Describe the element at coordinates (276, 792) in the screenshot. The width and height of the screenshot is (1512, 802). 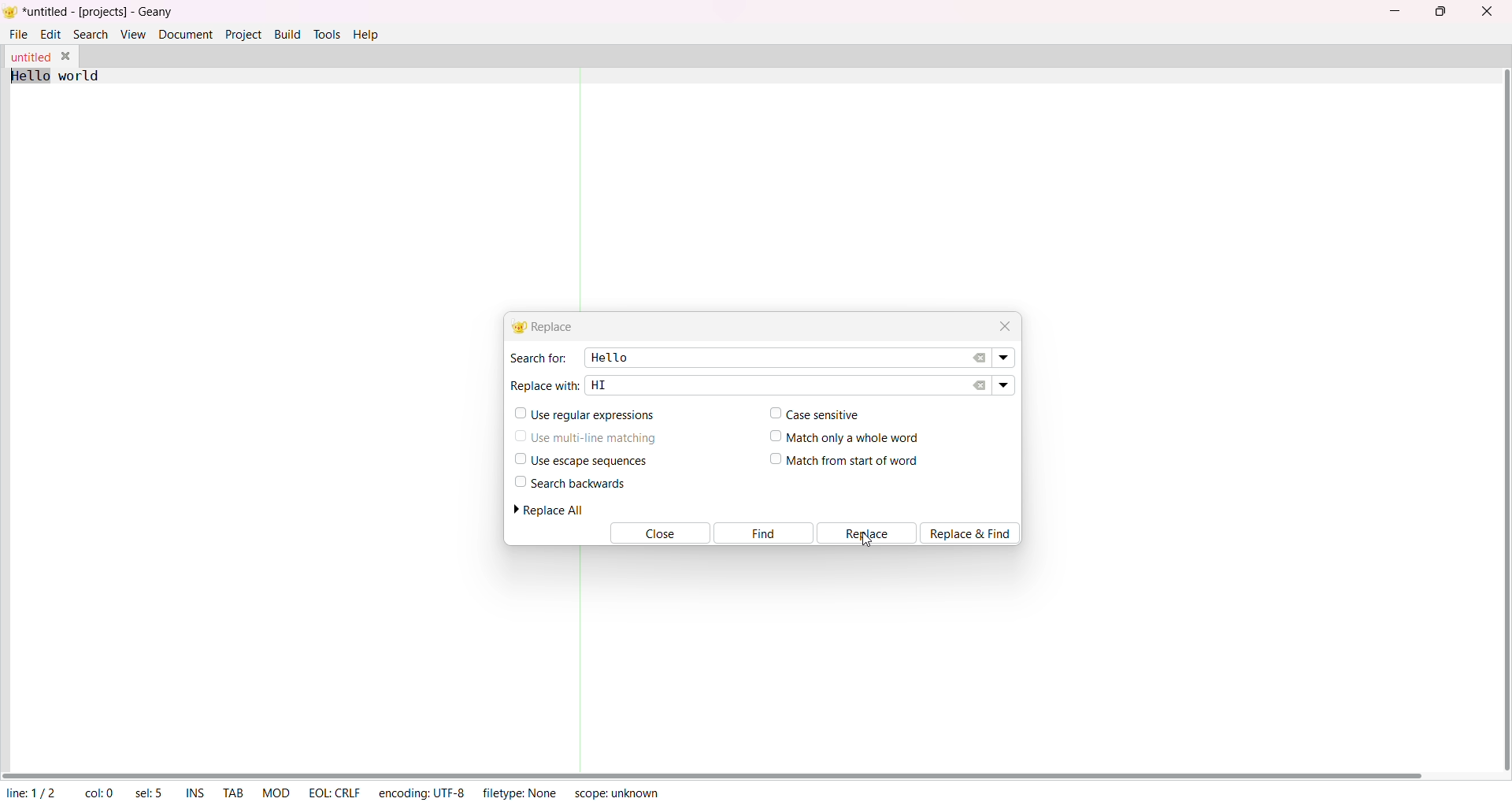
I see `mod` at that location.